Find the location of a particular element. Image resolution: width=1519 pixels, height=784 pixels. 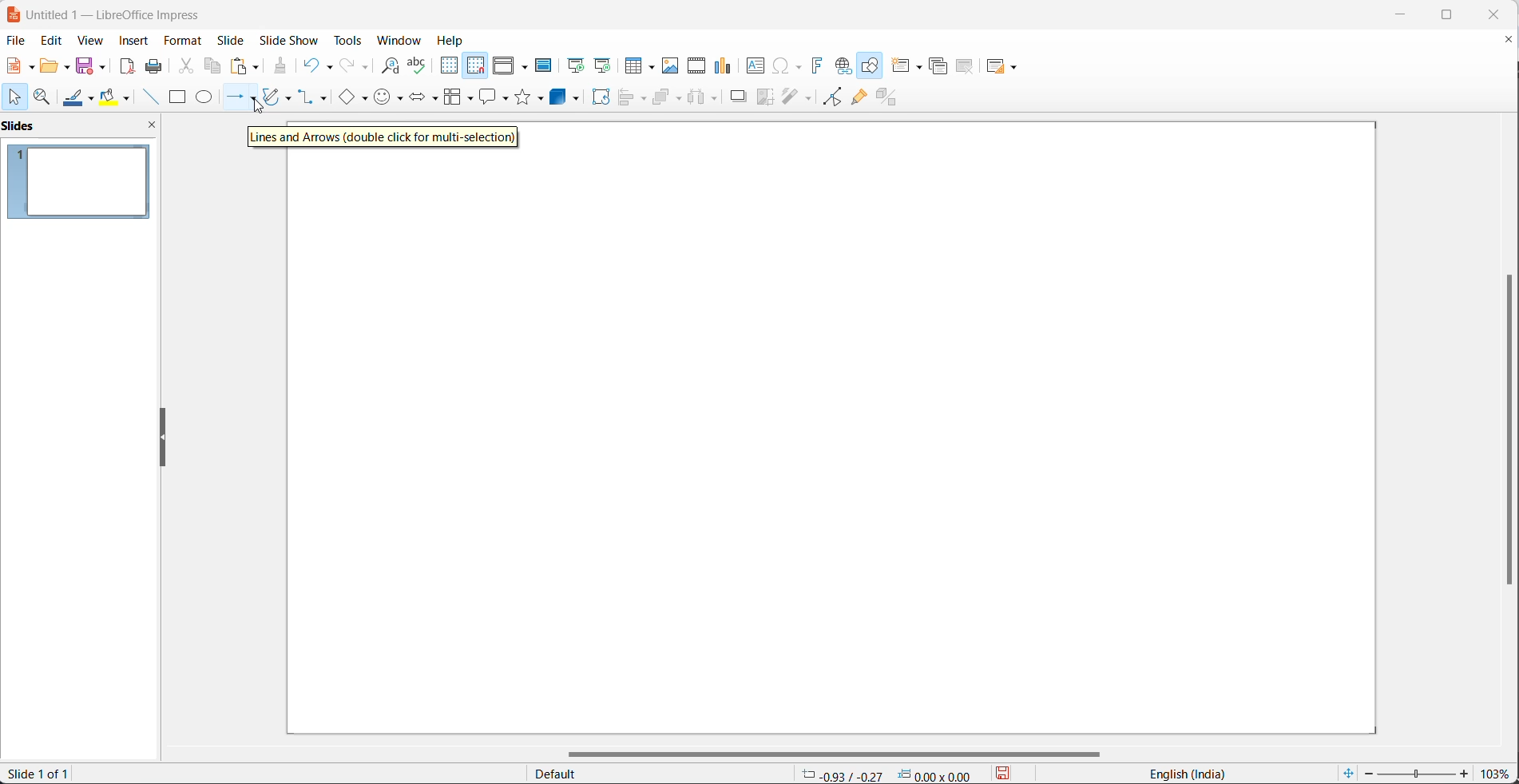

symbol shapes is located at coordinates (389, 100).